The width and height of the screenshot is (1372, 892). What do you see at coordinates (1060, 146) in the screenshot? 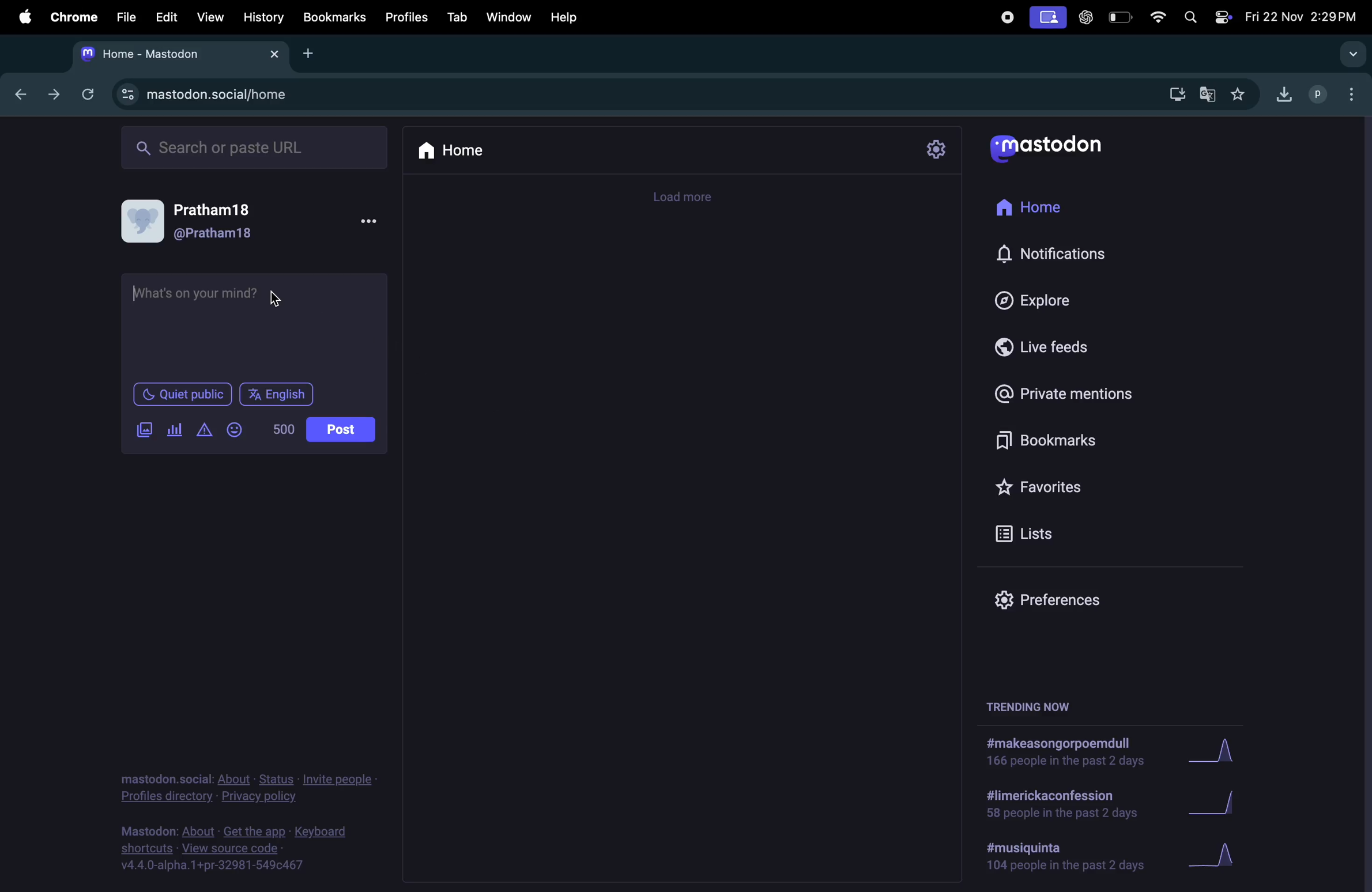
I see `mastodon logo` at bounding box center [1060, 146].